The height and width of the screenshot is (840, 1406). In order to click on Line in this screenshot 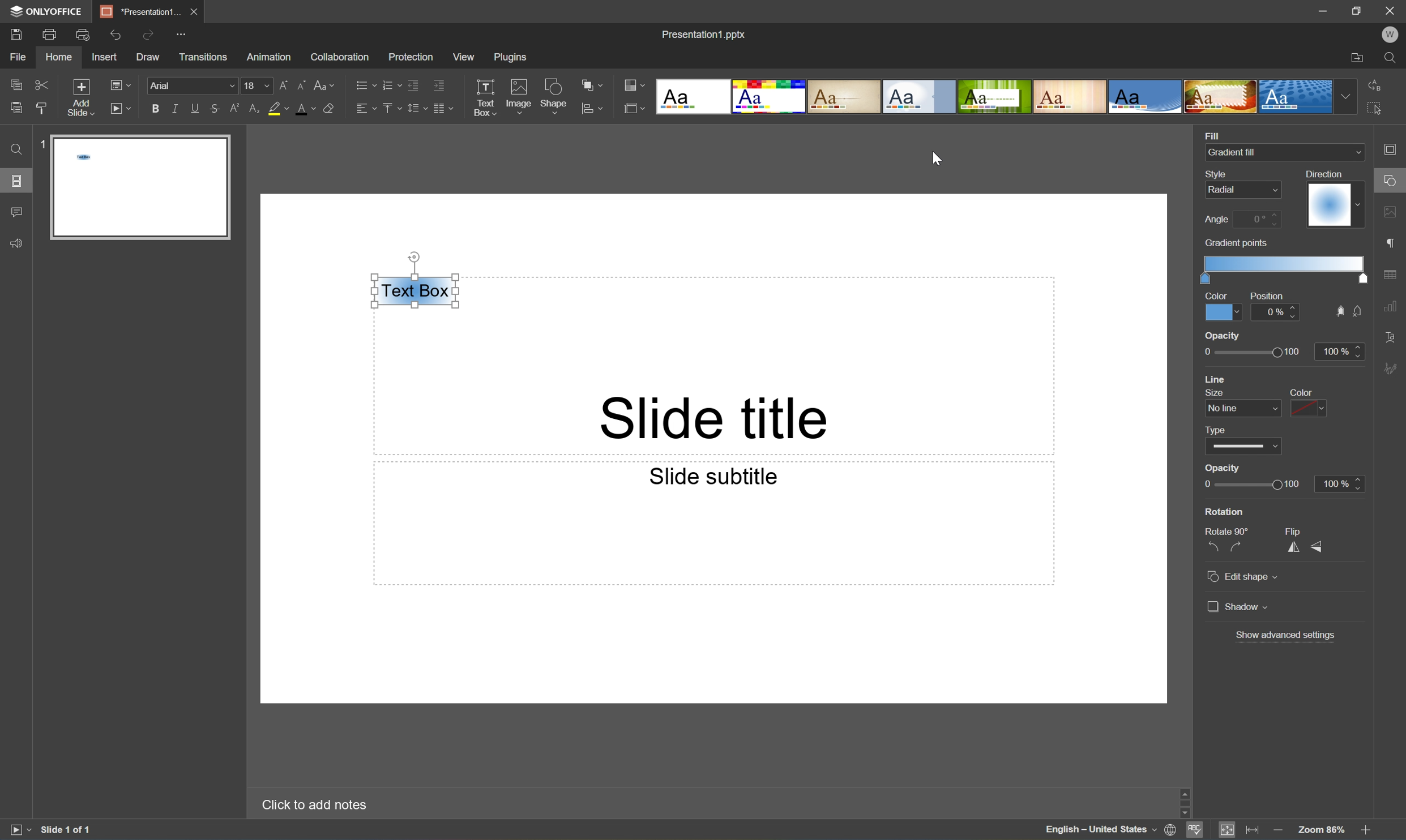, I will do `click(1217, 378)`.